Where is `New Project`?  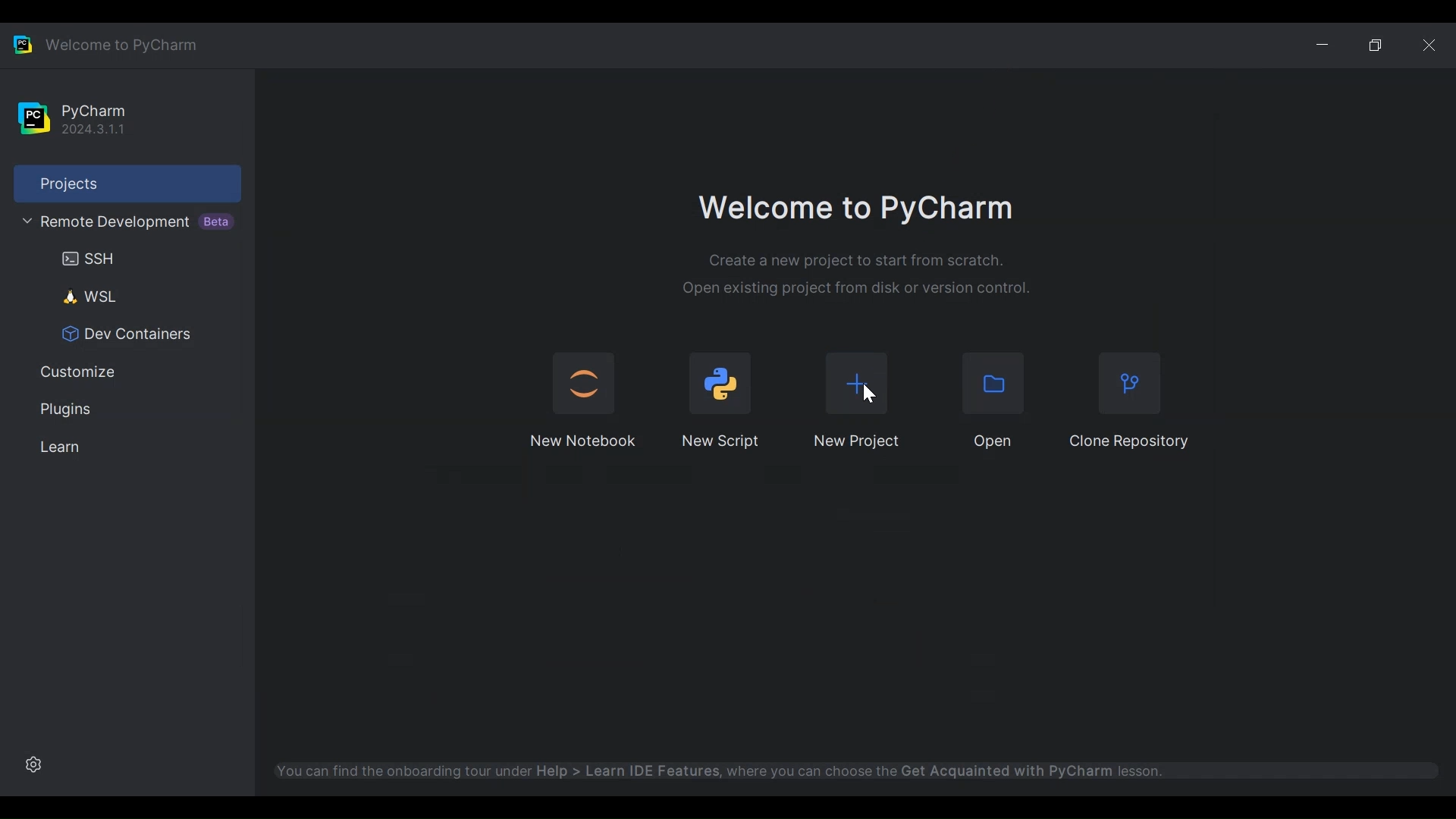 New Project is located at coordinates (855, 443).